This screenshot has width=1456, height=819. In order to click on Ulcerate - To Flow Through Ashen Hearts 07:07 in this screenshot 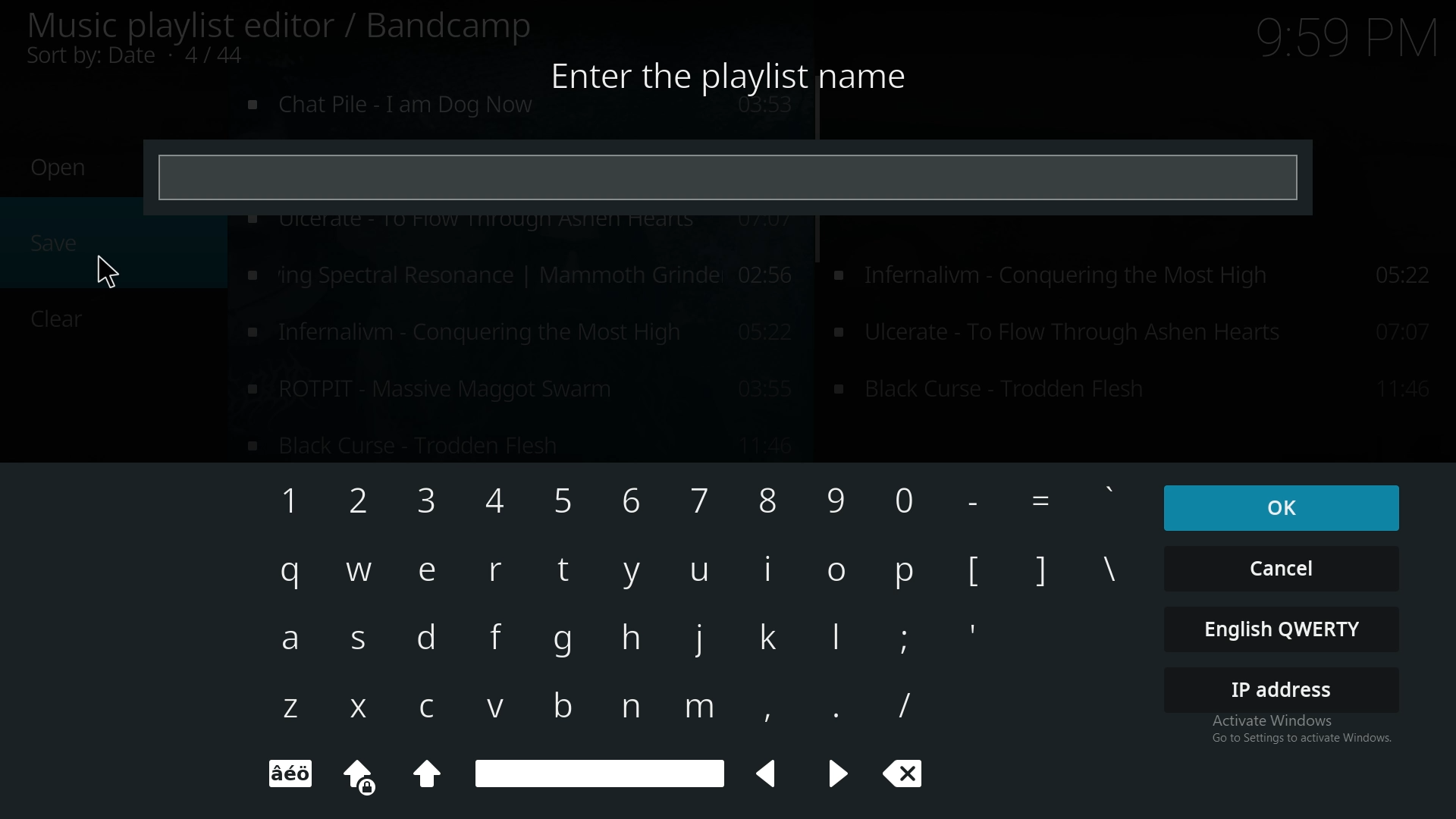, I will do `click(1137, 391)`.